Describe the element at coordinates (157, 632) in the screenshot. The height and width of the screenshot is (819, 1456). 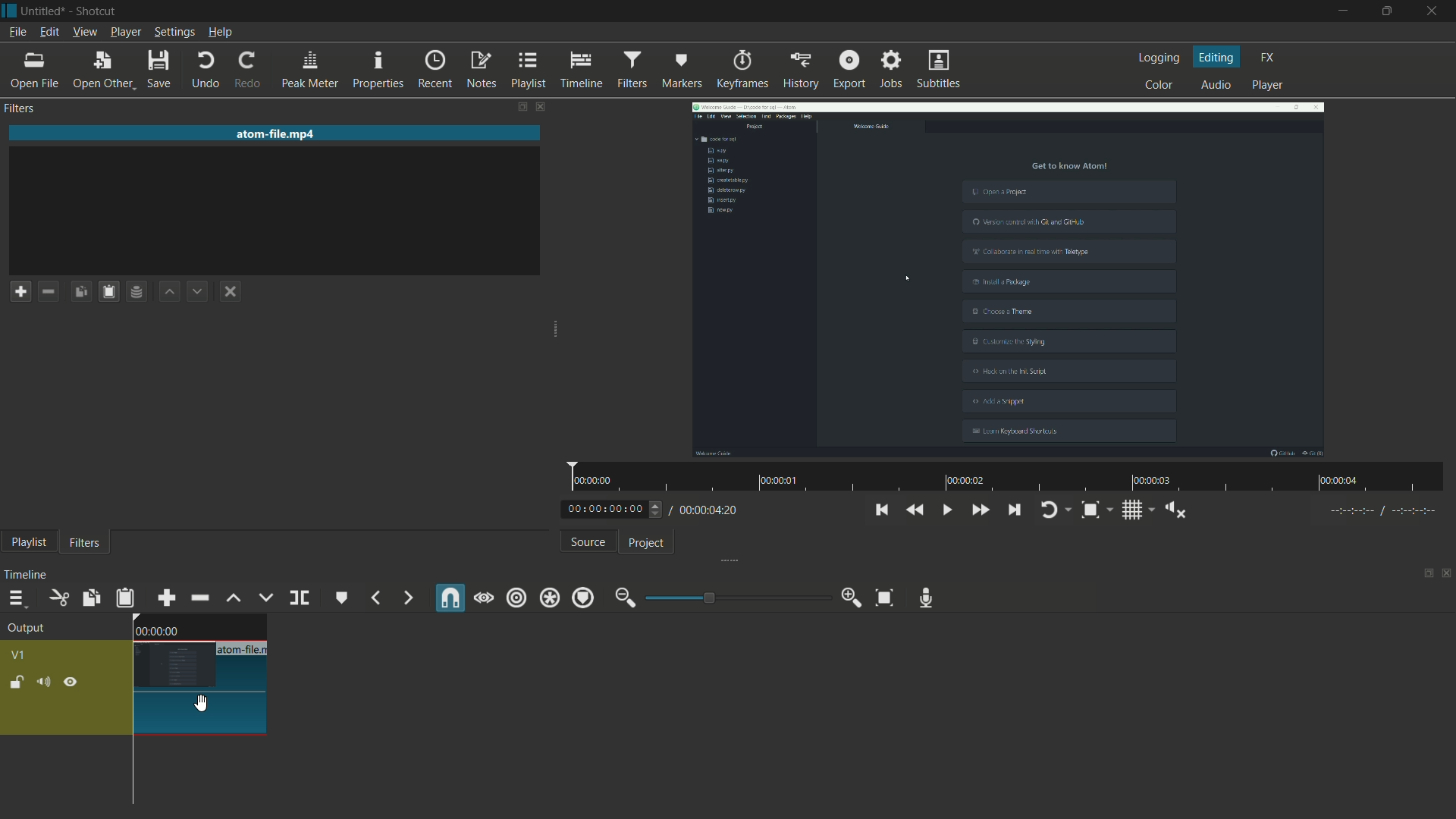
I see `current time` at that location.